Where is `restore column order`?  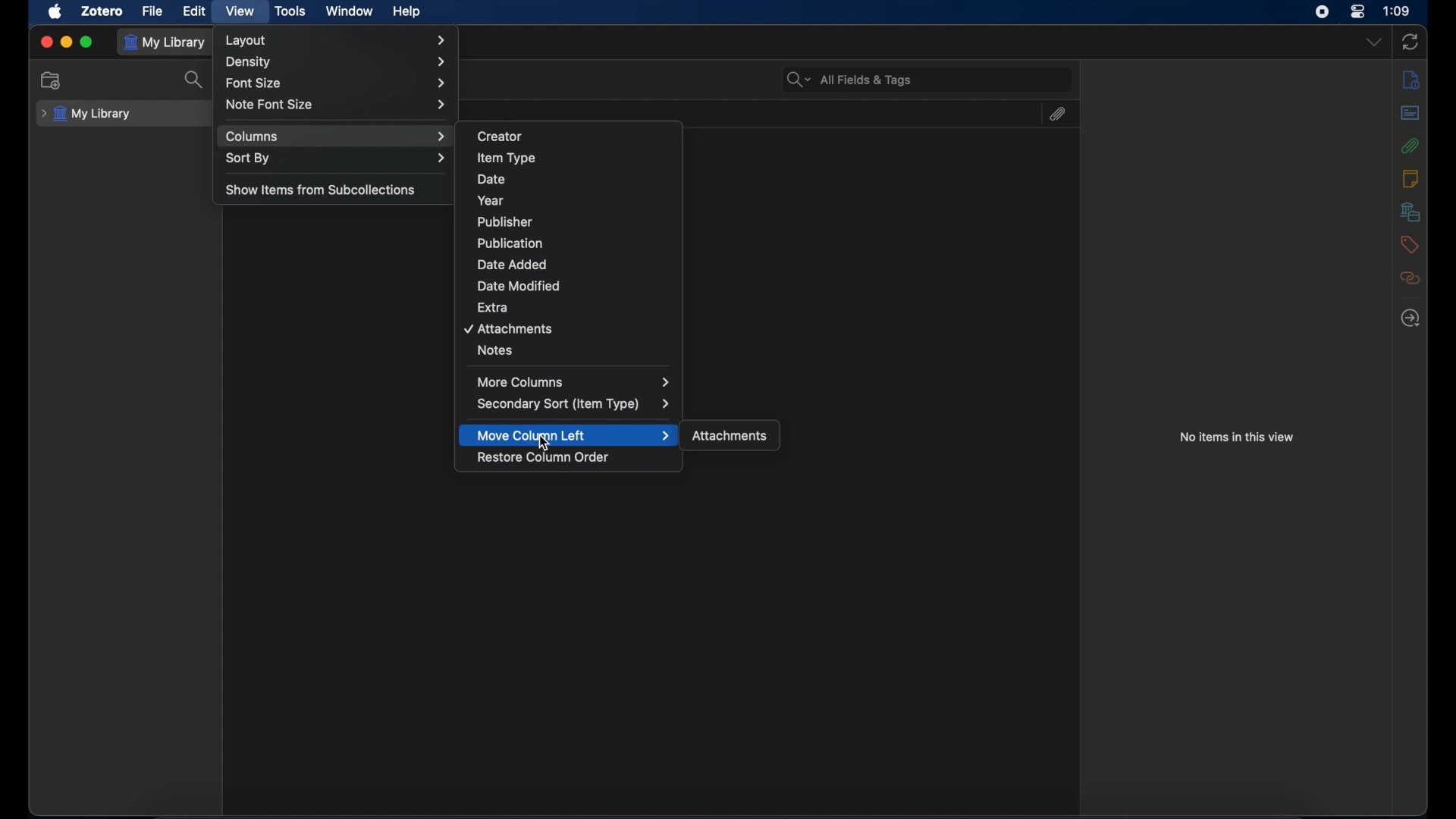
restore column order is located at coordinates (544, 458).